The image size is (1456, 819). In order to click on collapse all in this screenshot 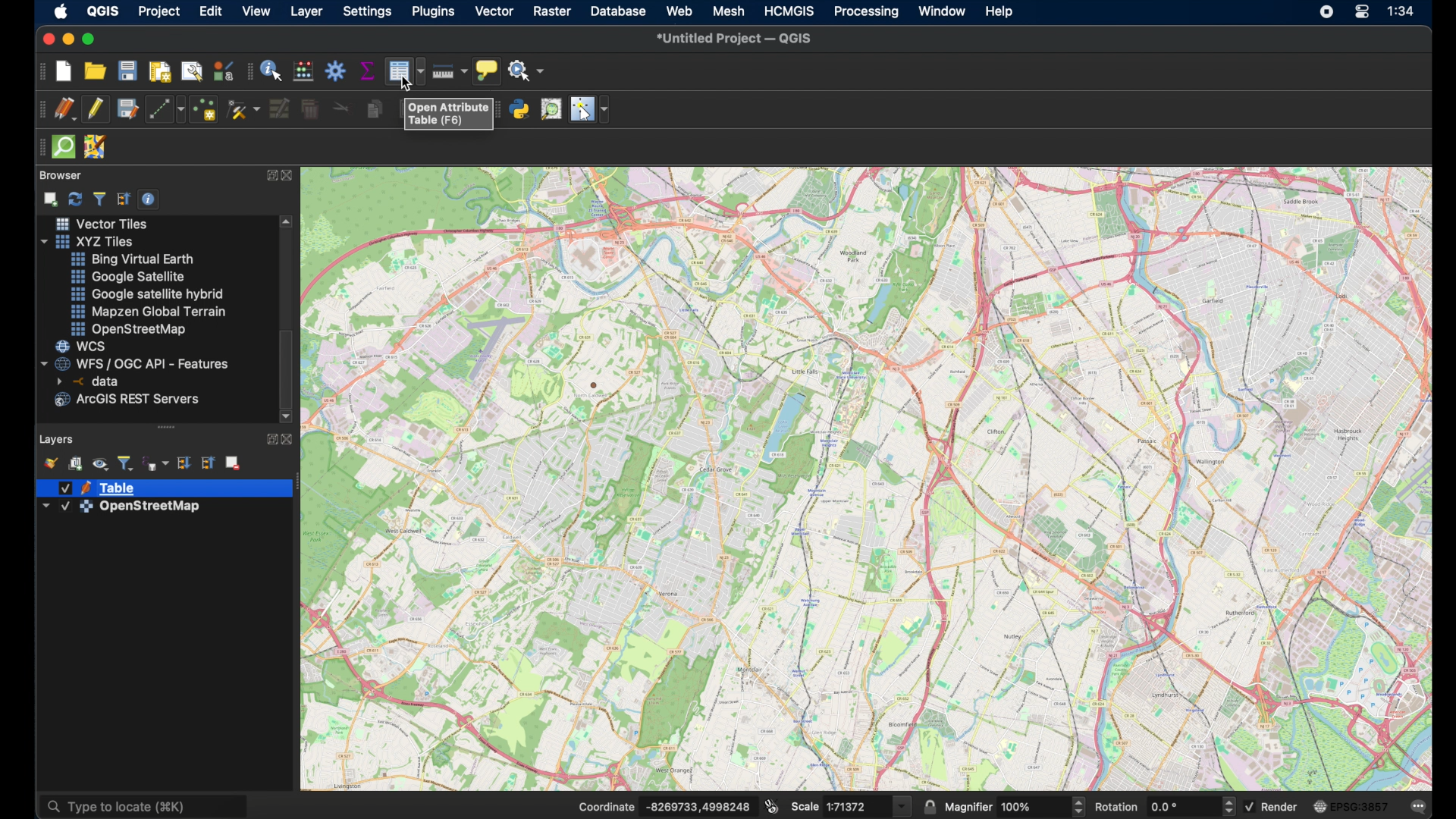, I will do `click(124, 198)`.